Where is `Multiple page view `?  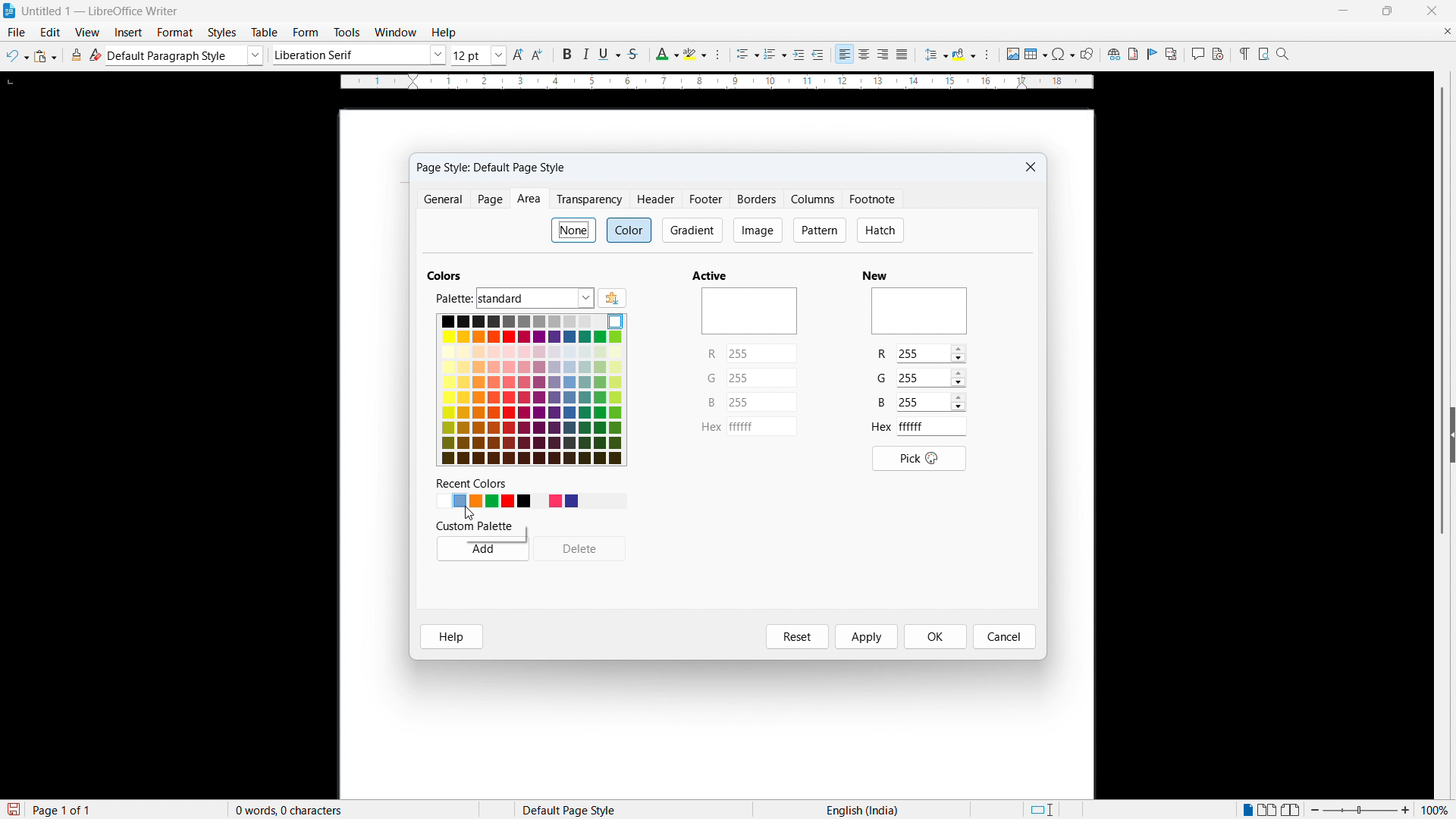
Multiple page view  is located at coordinates (1269, 809).